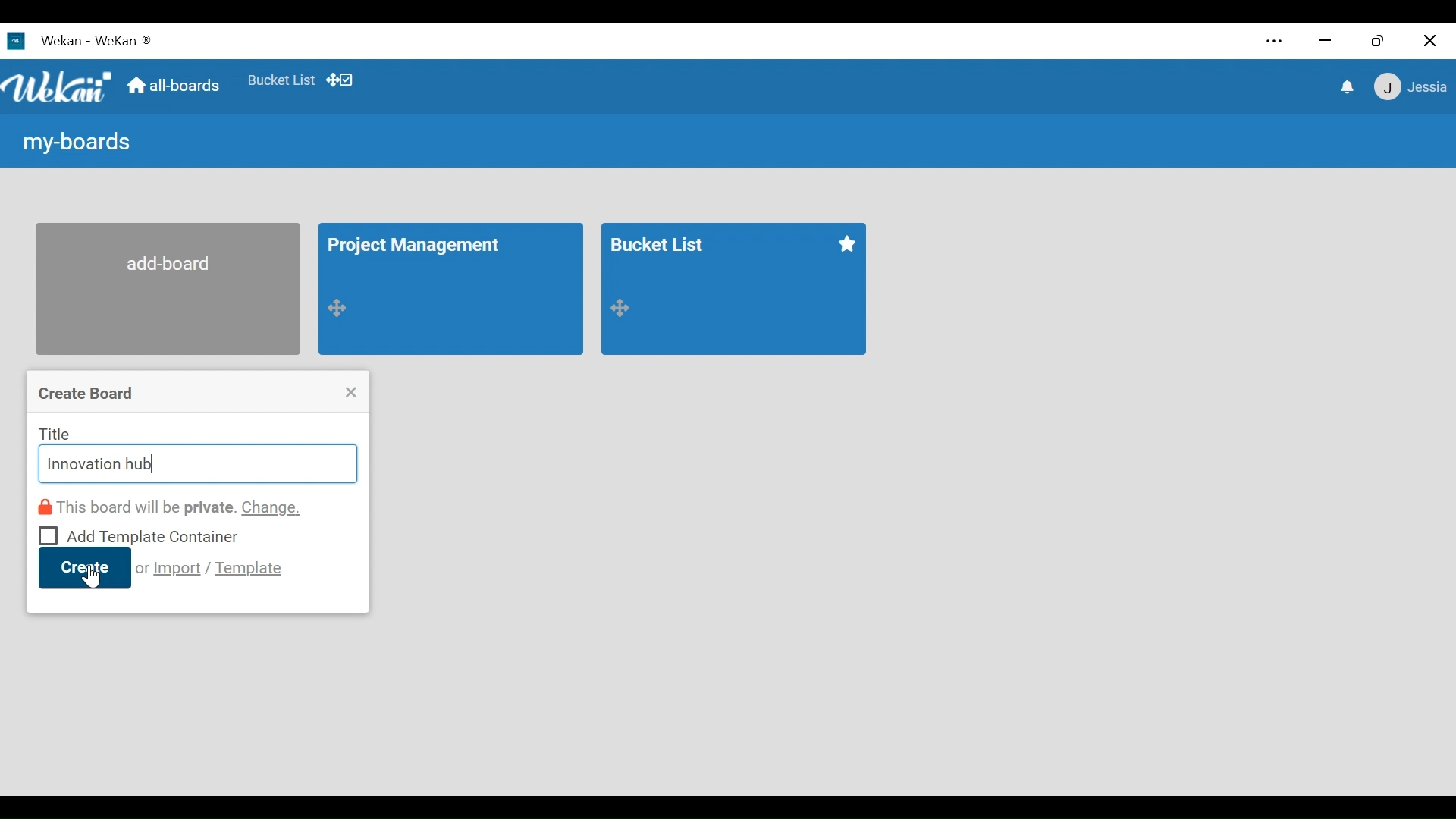 The image size is (1456, 819). I want to click on Shortcut to favorites, so click(281, 79).